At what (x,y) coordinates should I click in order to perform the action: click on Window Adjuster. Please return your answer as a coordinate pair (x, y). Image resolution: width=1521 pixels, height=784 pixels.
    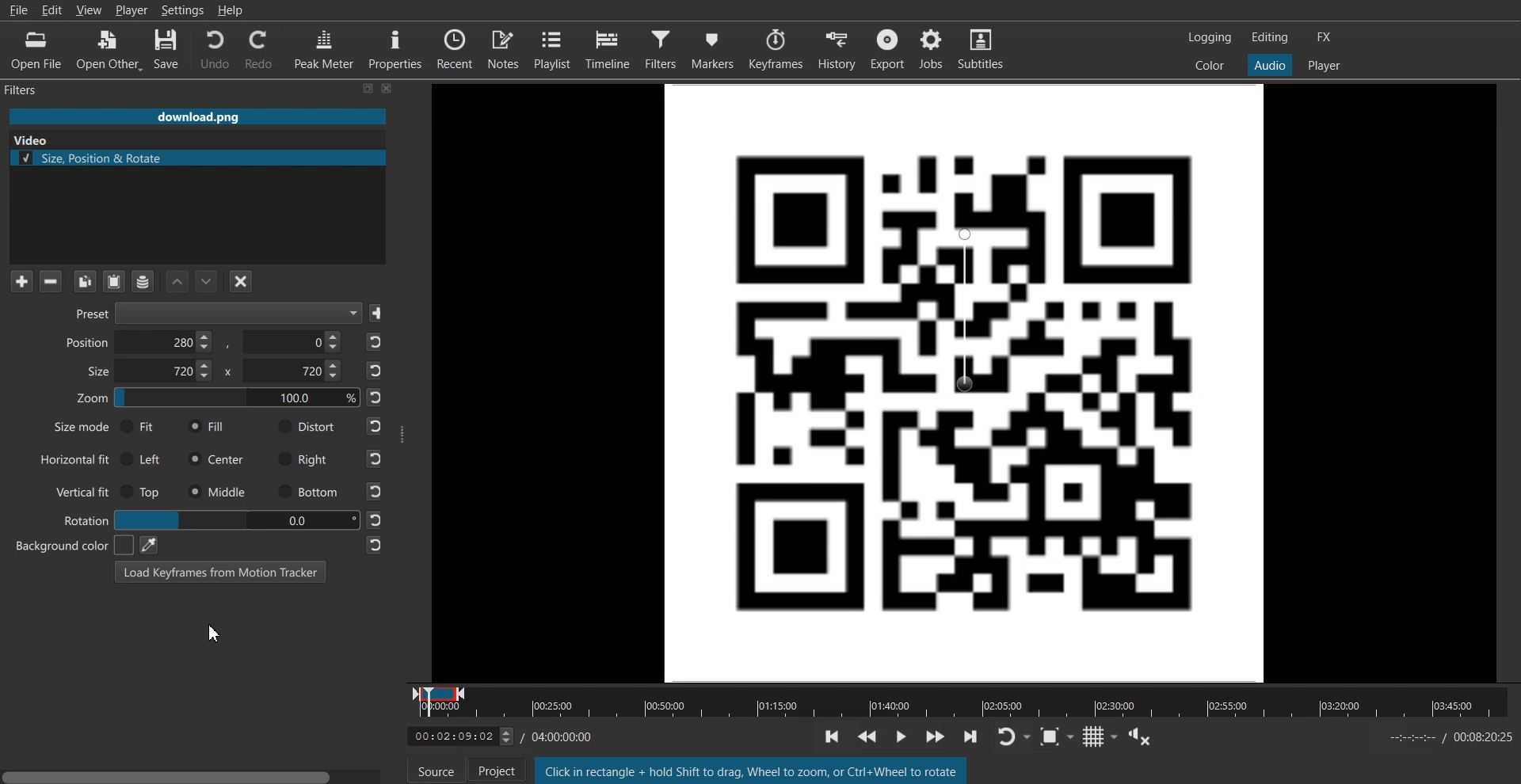
    Looking at the image, I should click on (402, 433).